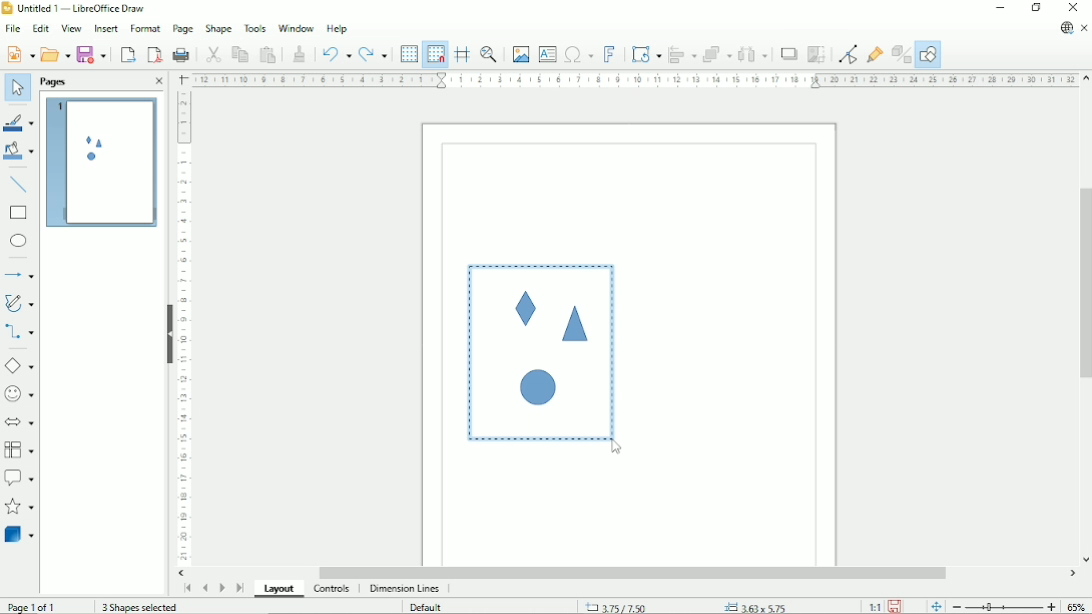 This screenshot has width=1092, height=614. I want to click on Dimension lines, so click(406, 589).